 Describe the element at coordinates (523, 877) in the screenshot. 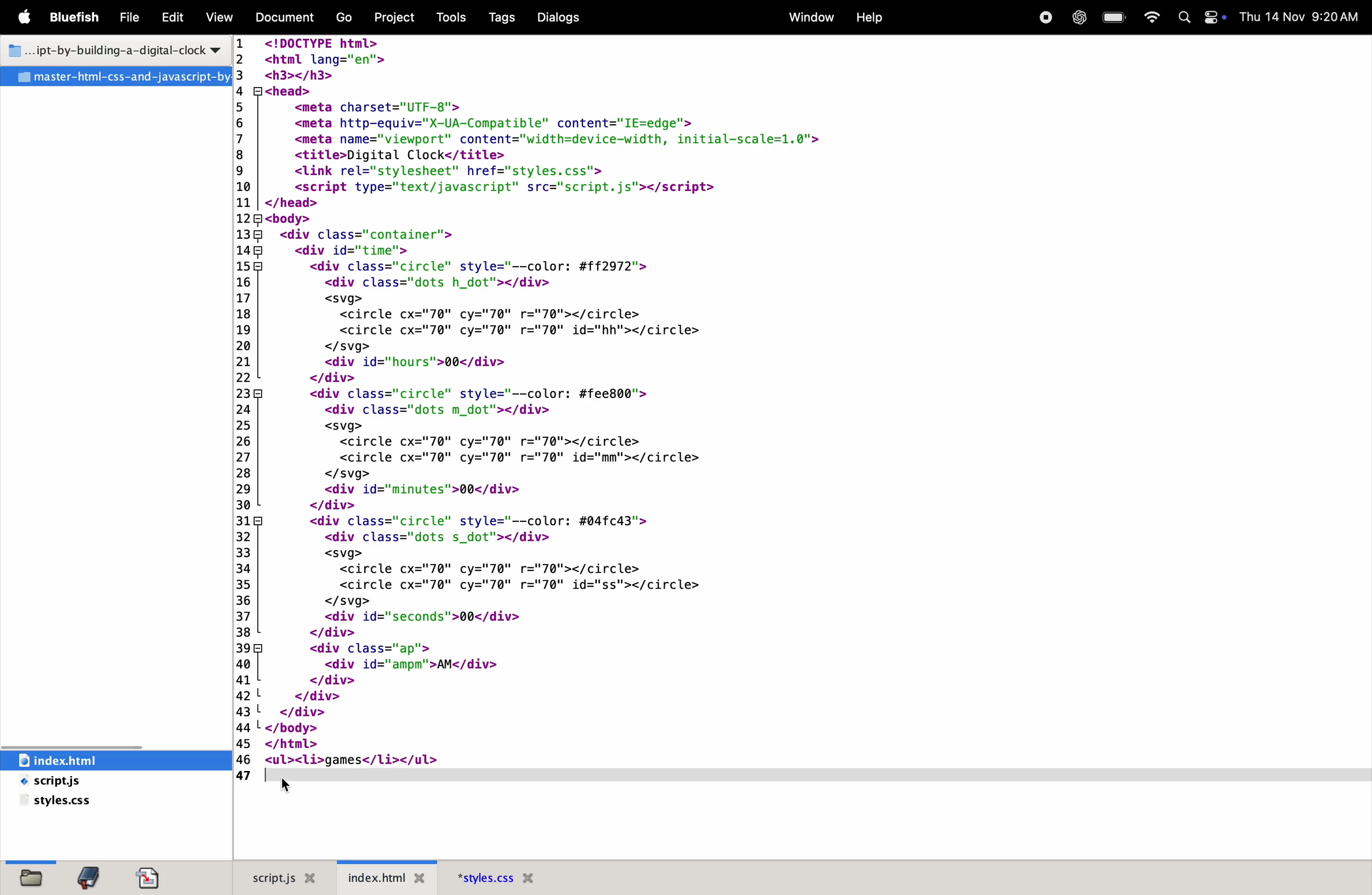

I see `Style.css` at that location.